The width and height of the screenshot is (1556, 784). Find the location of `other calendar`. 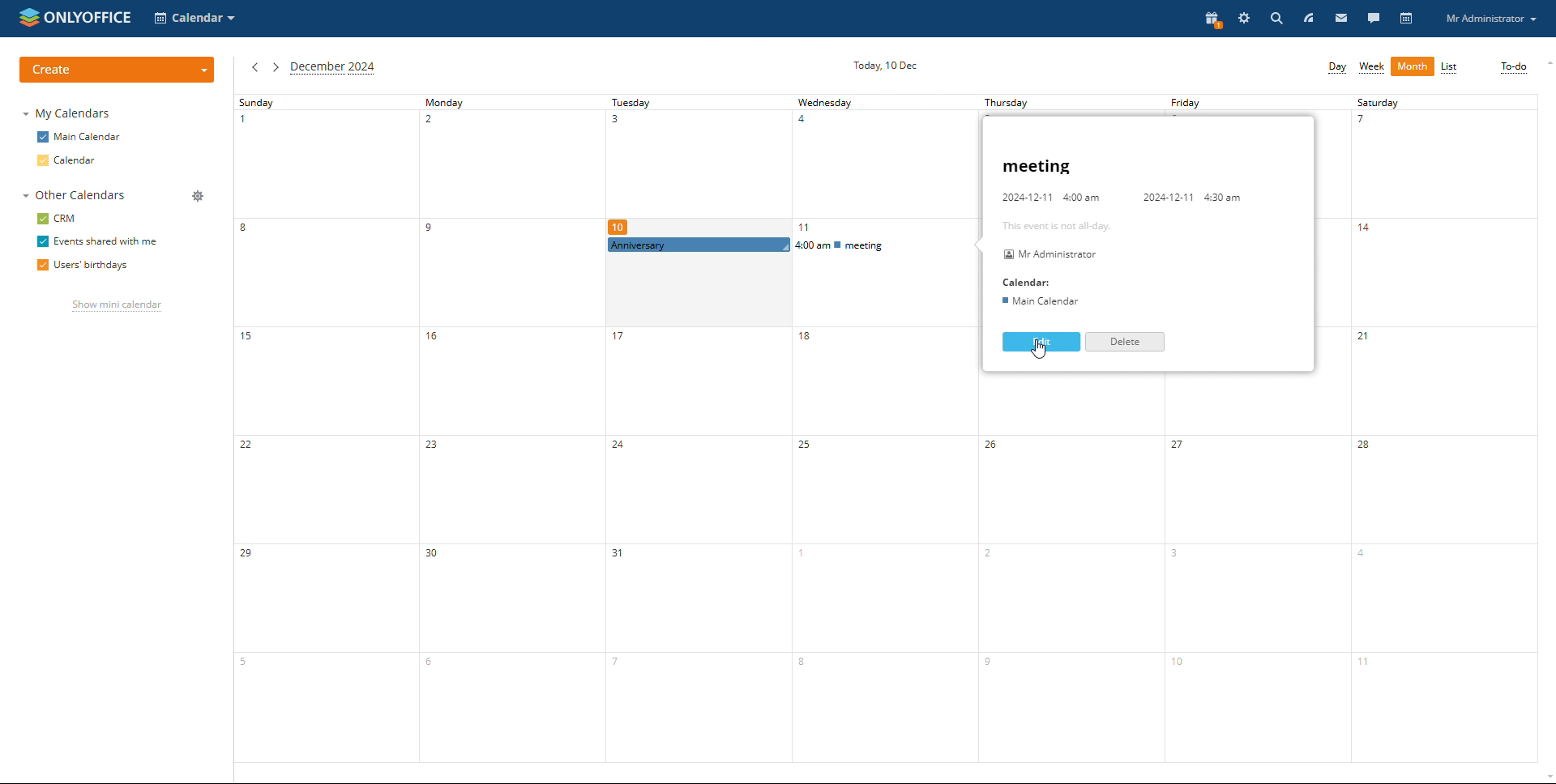

other calendar is located at coordinates (73, 196).